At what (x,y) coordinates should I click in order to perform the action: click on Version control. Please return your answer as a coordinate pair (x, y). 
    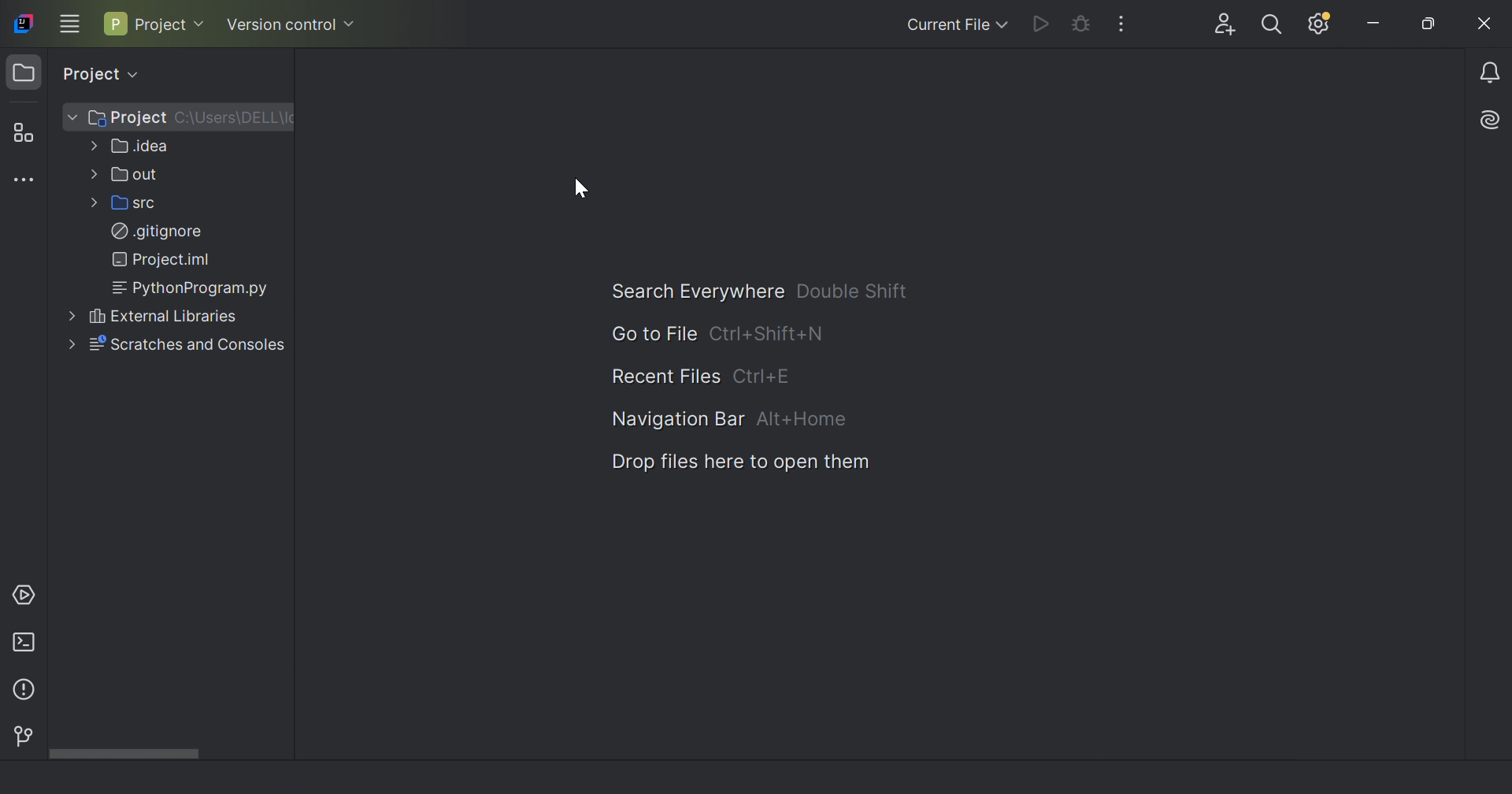
    Looking at the image, I should click on (20, 734).